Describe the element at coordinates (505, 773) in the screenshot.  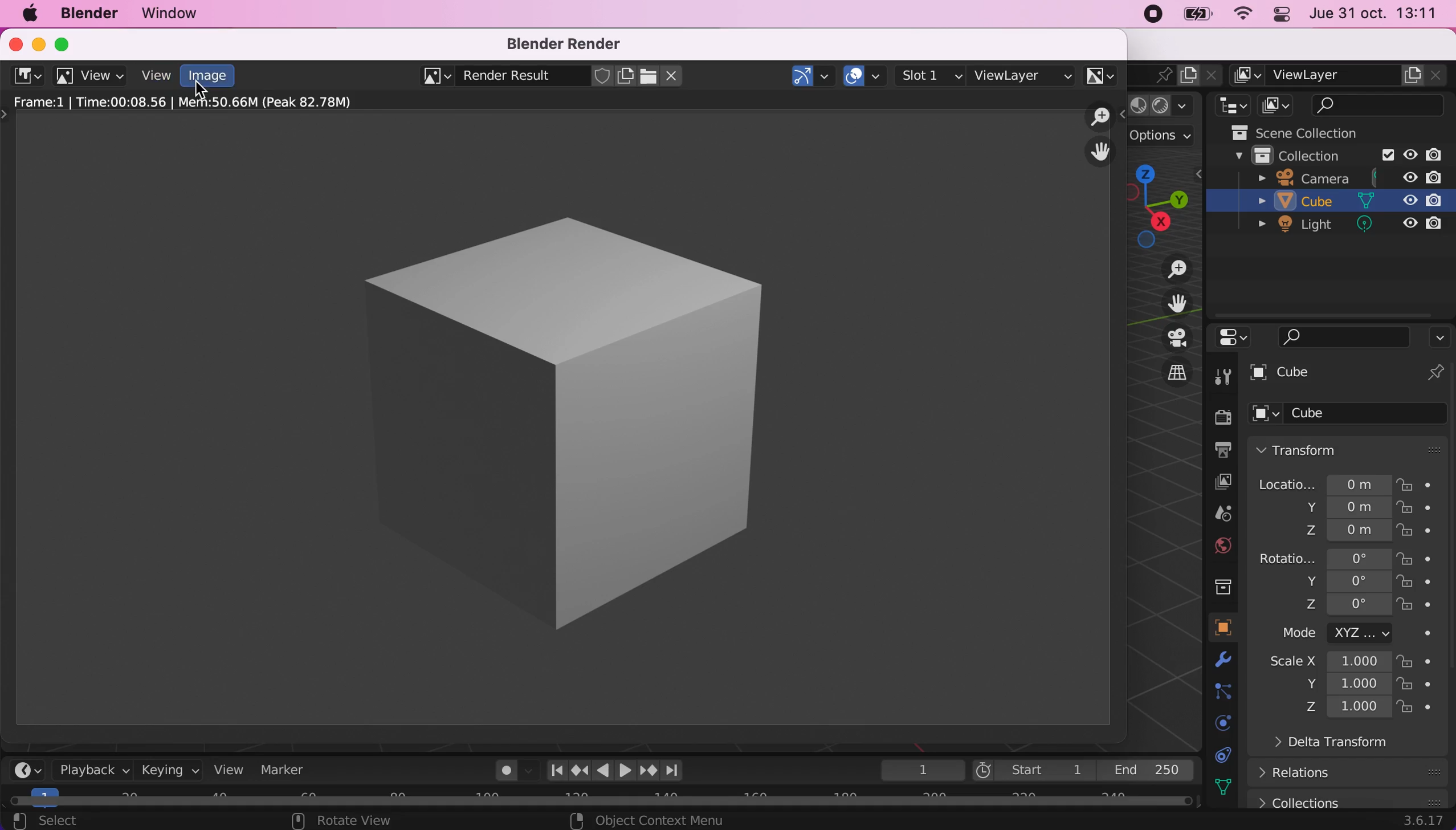
I see `auto keying` at that location.